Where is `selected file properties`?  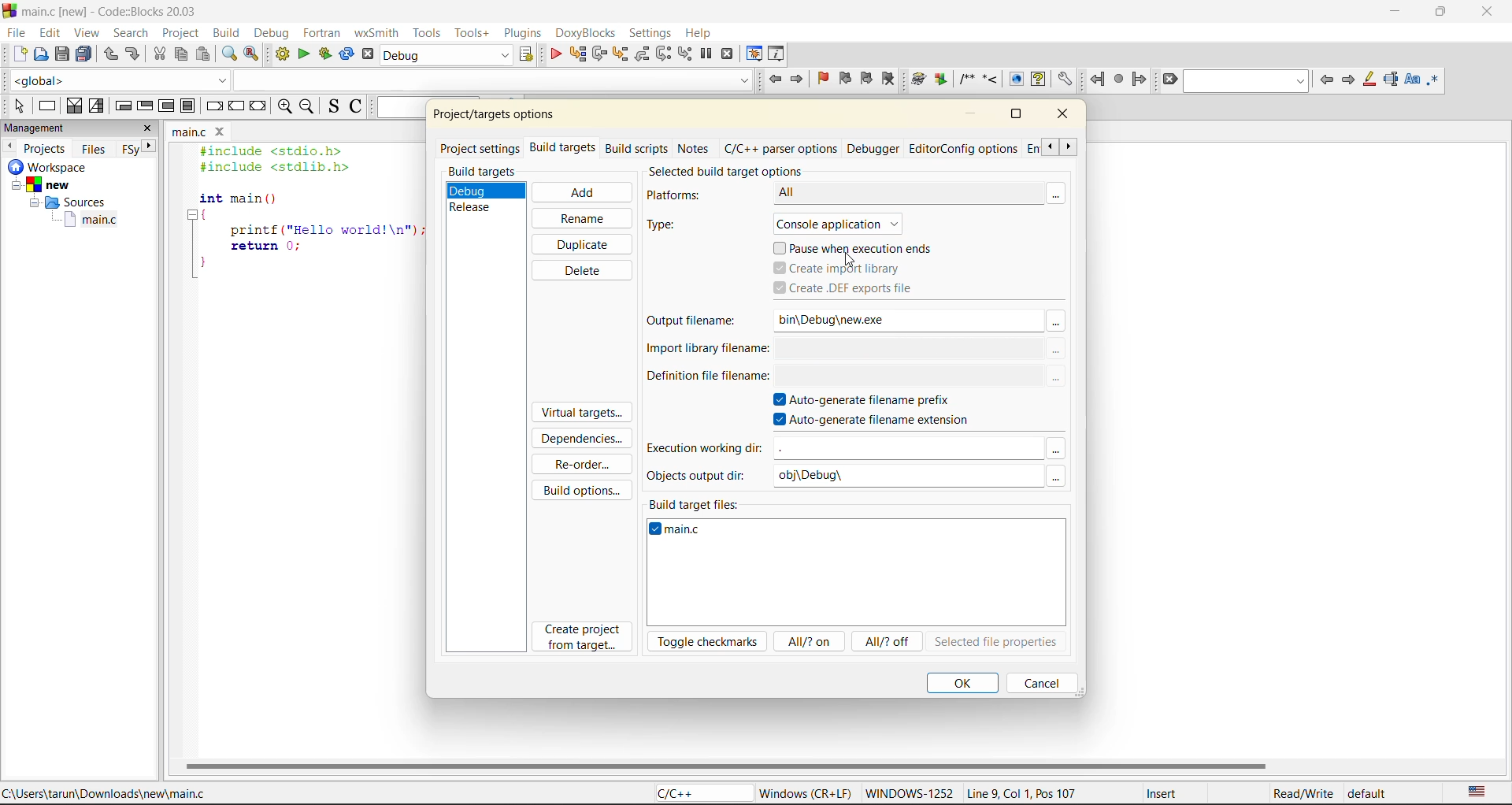
selected file properties is located at coordinates (995, 643).